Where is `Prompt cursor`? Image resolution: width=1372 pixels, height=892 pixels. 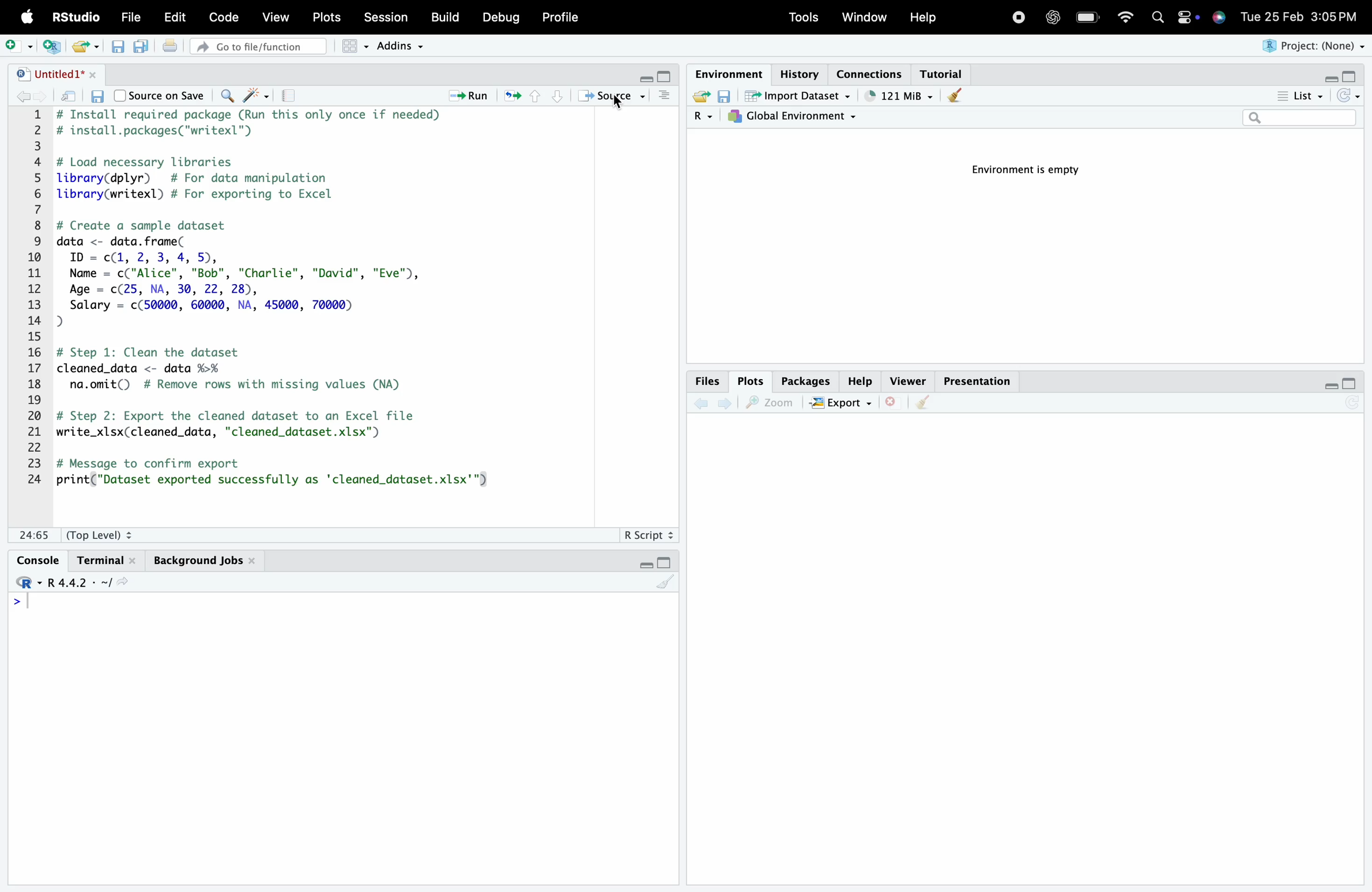 Prompt cursor is located at coordinates (16, 604).